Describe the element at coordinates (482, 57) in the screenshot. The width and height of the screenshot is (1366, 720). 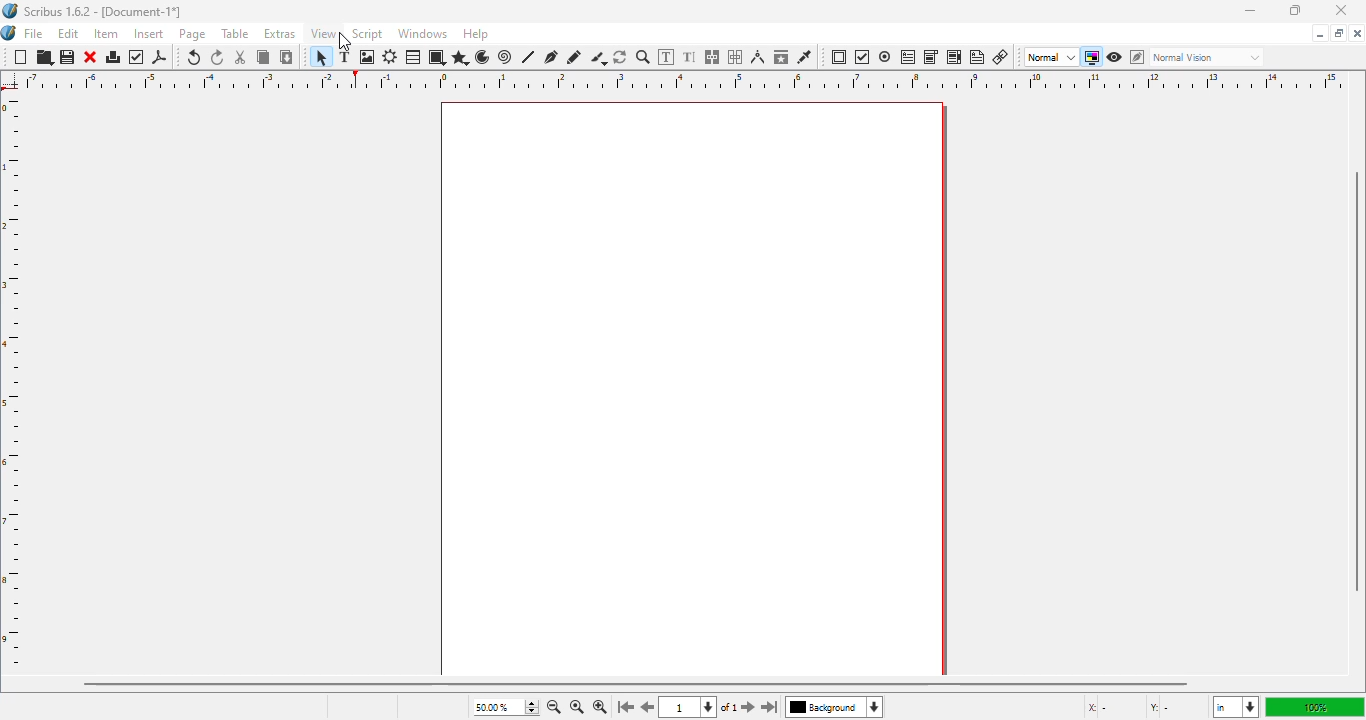
I see `arc` at that location.